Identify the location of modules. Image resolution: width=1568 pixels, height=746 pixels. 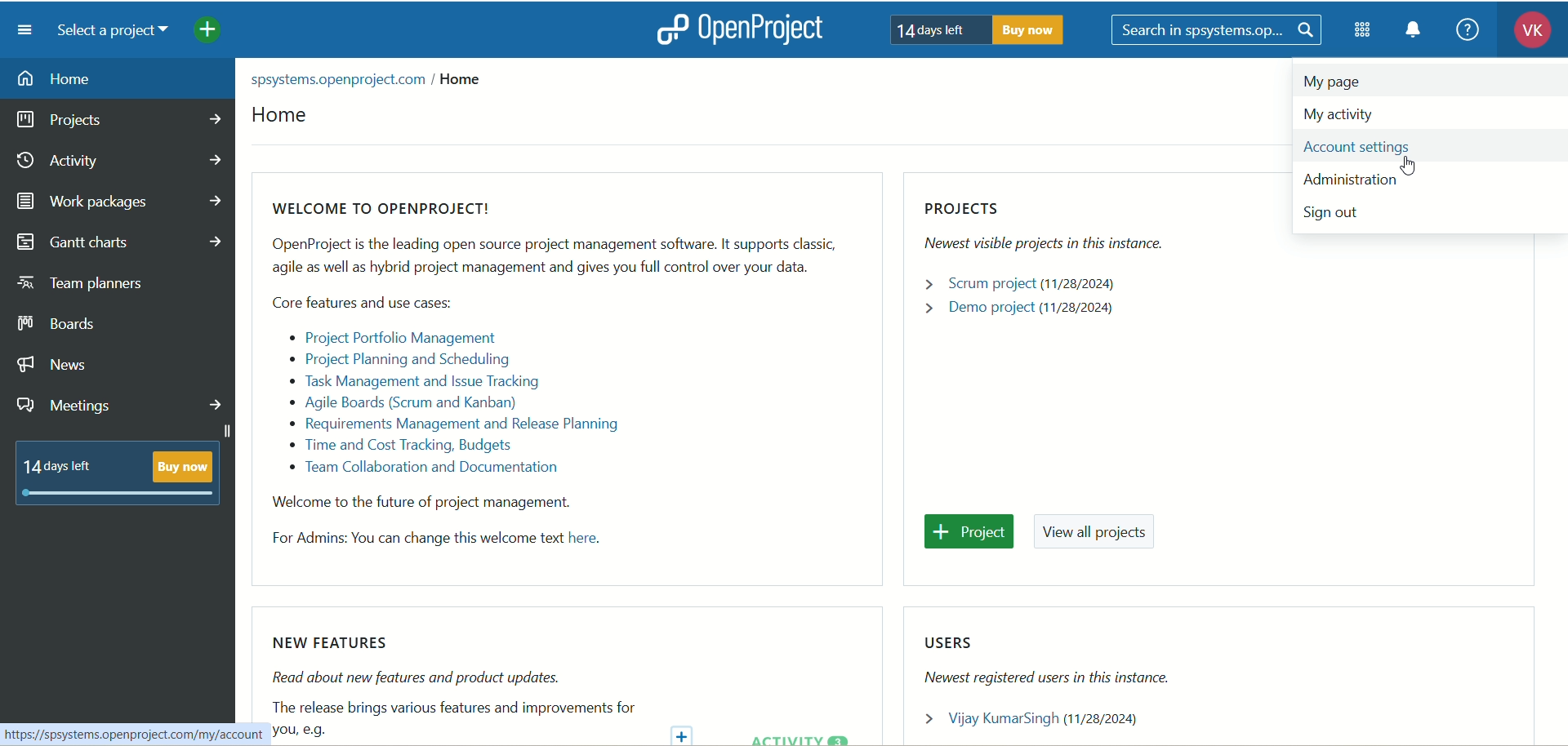
(1364, 33).